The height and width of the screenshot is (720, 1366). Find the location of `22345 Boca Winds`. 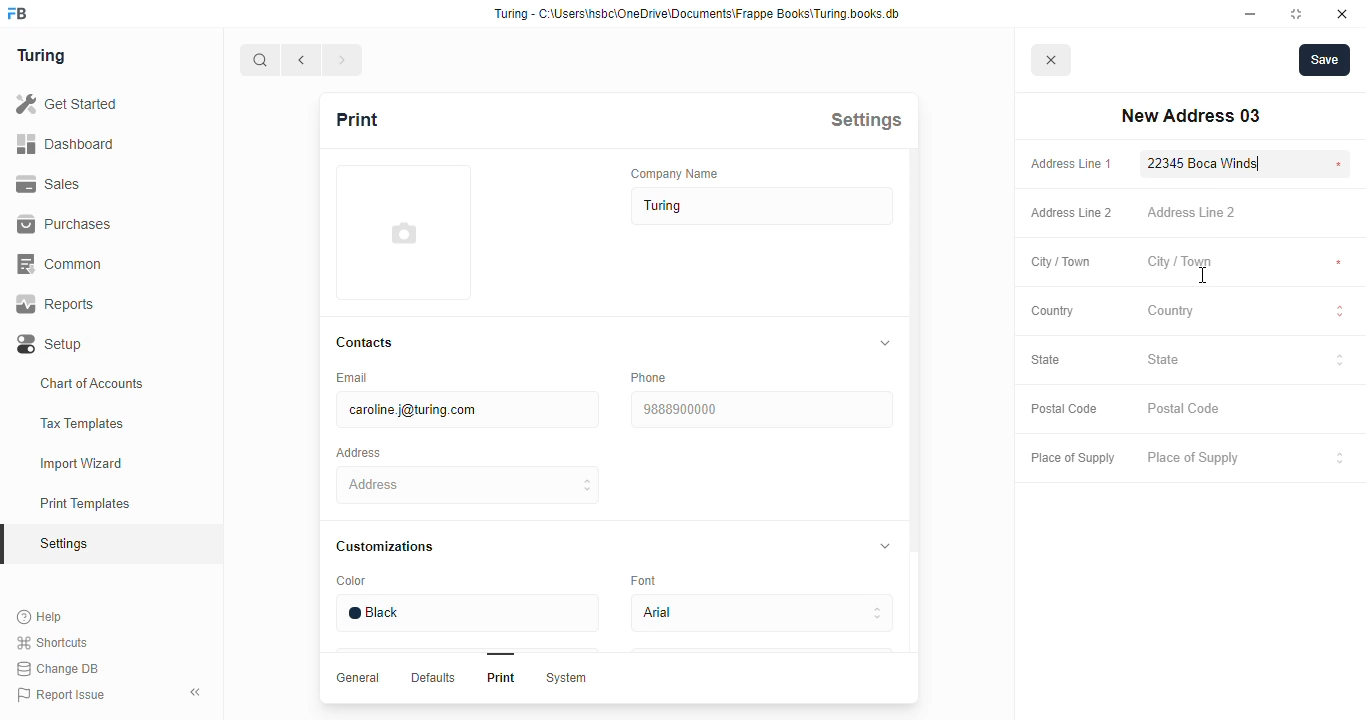

22345 Boca Winds is located at coordinates (1207, 163).